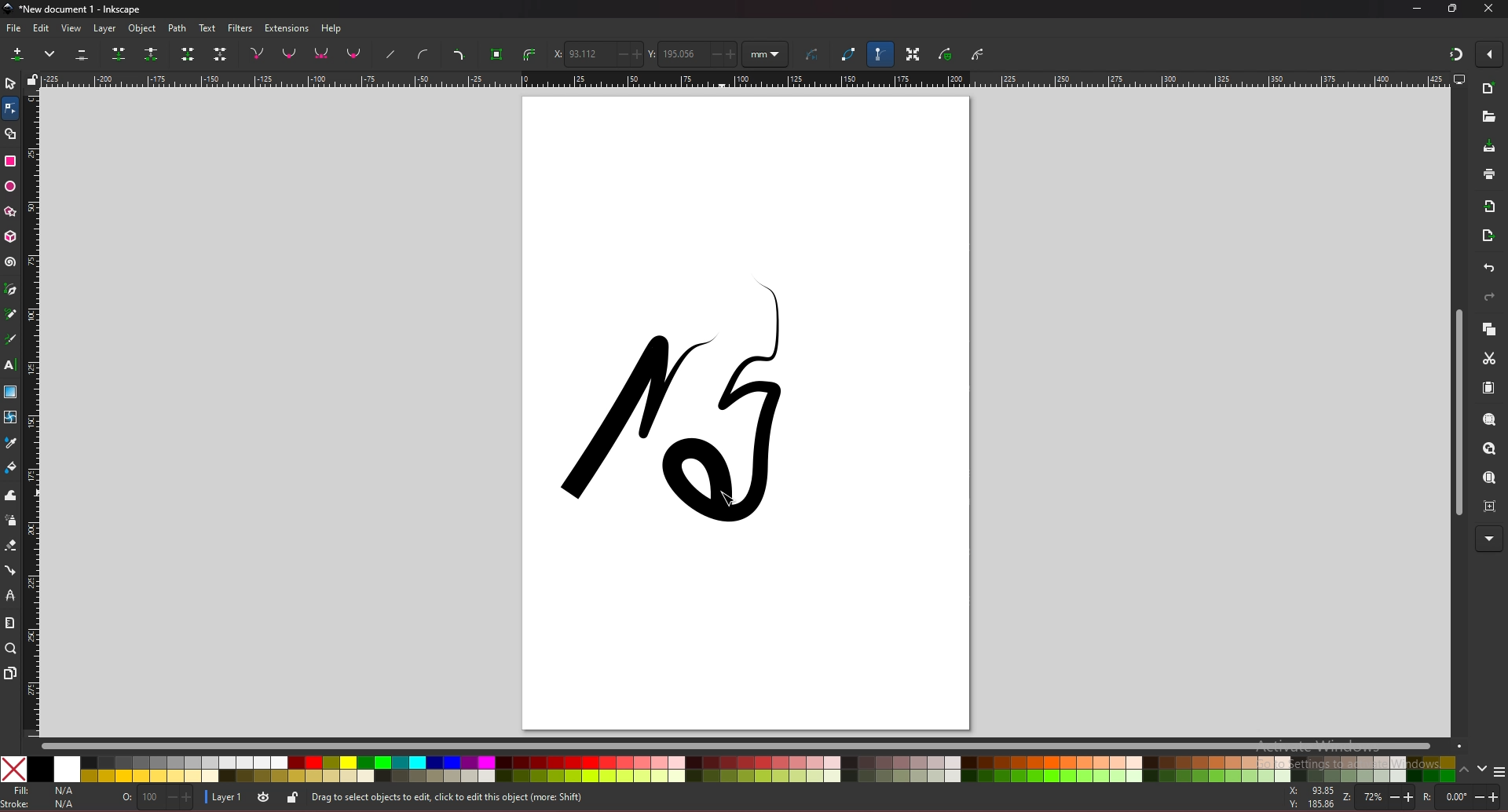 The width and height of the screenshot is (1508, 812). I want to click on add corners lpe, so click(459, 55).